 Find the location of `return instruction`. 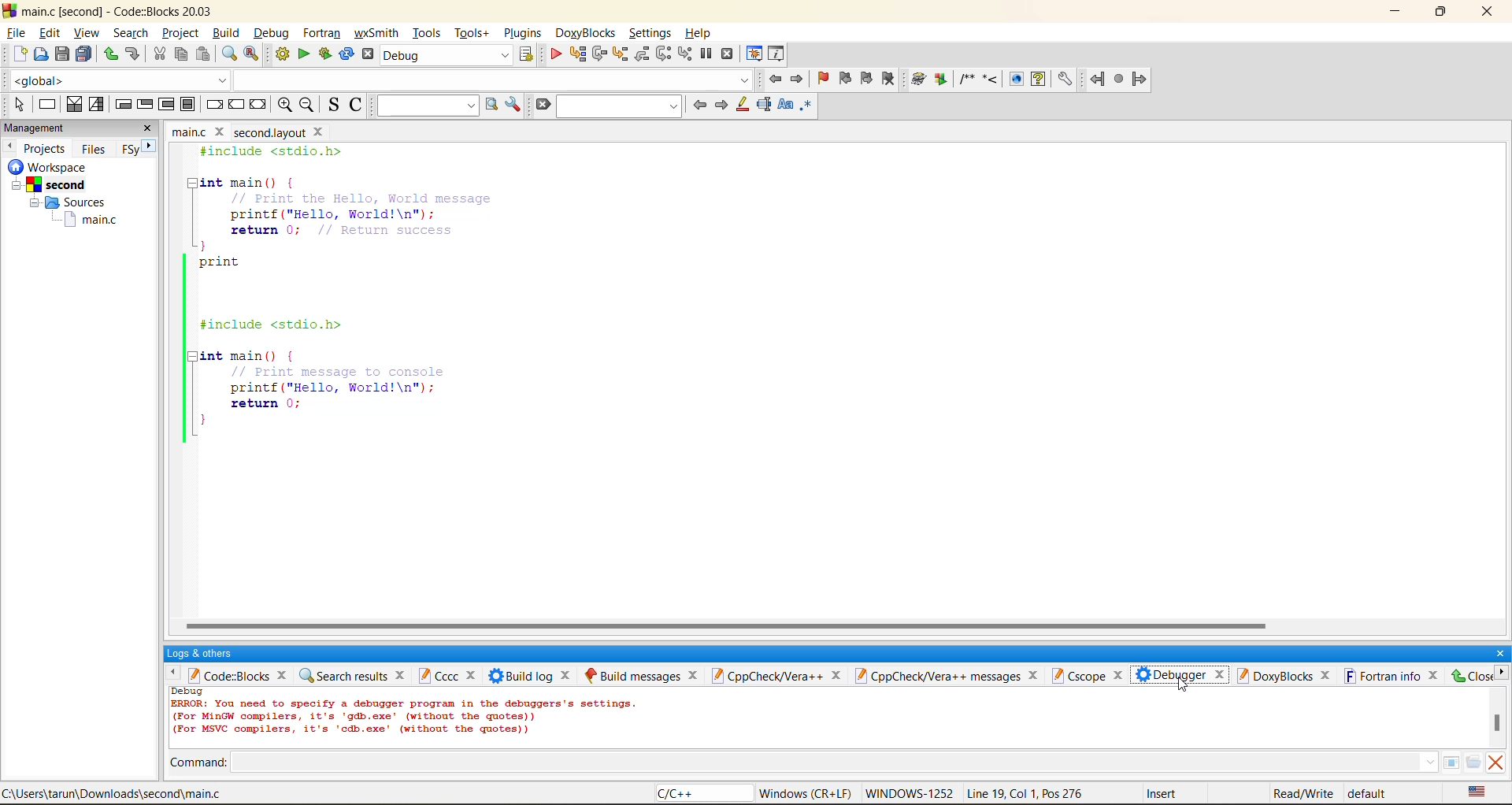

return instruction is located at coordinates (258, 106).